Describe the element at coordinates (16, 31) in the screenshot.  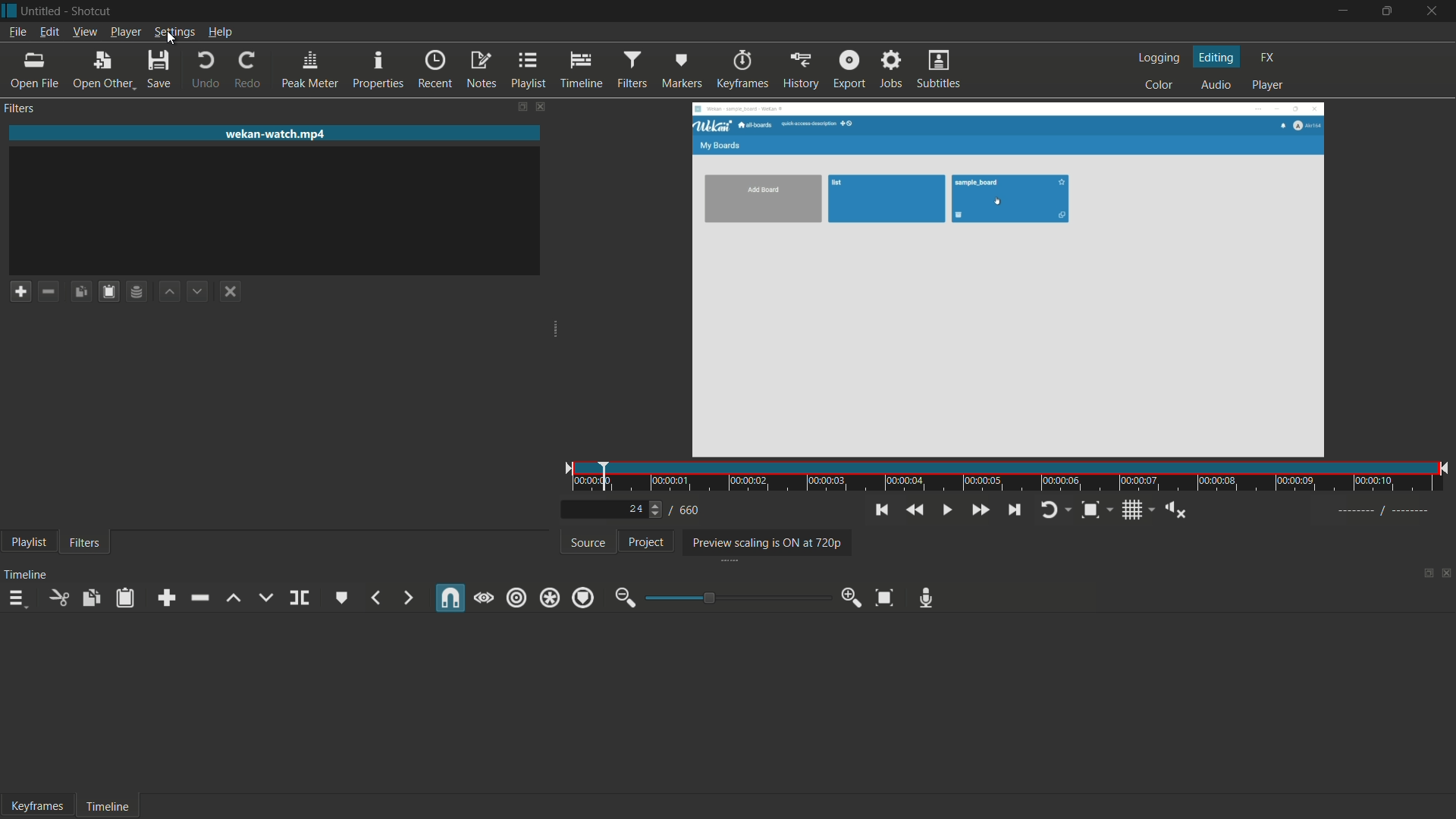
I see `file menu` at that location.